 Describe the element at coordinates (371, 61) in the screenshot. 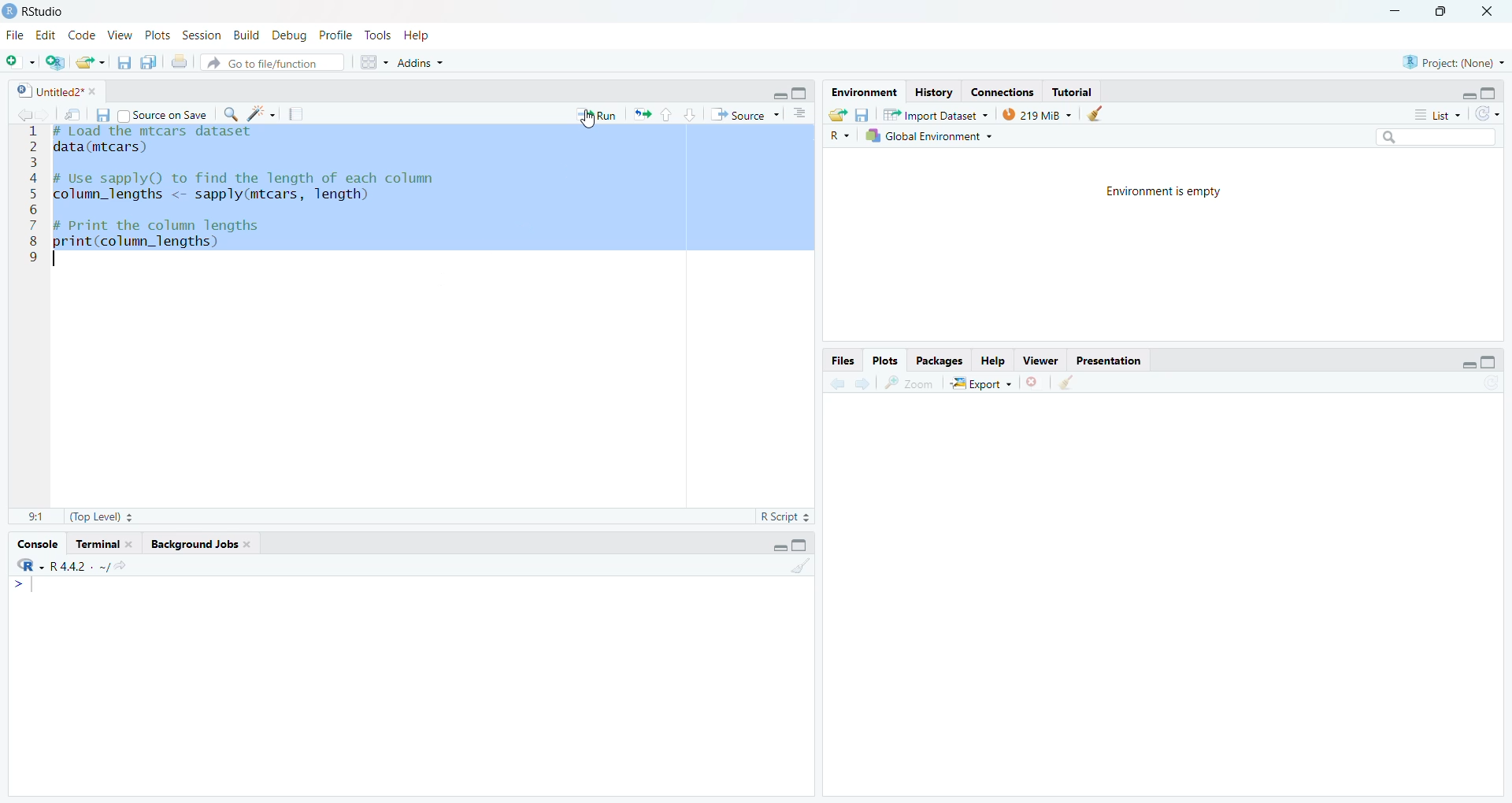

I see `Workspace panes` at that location.